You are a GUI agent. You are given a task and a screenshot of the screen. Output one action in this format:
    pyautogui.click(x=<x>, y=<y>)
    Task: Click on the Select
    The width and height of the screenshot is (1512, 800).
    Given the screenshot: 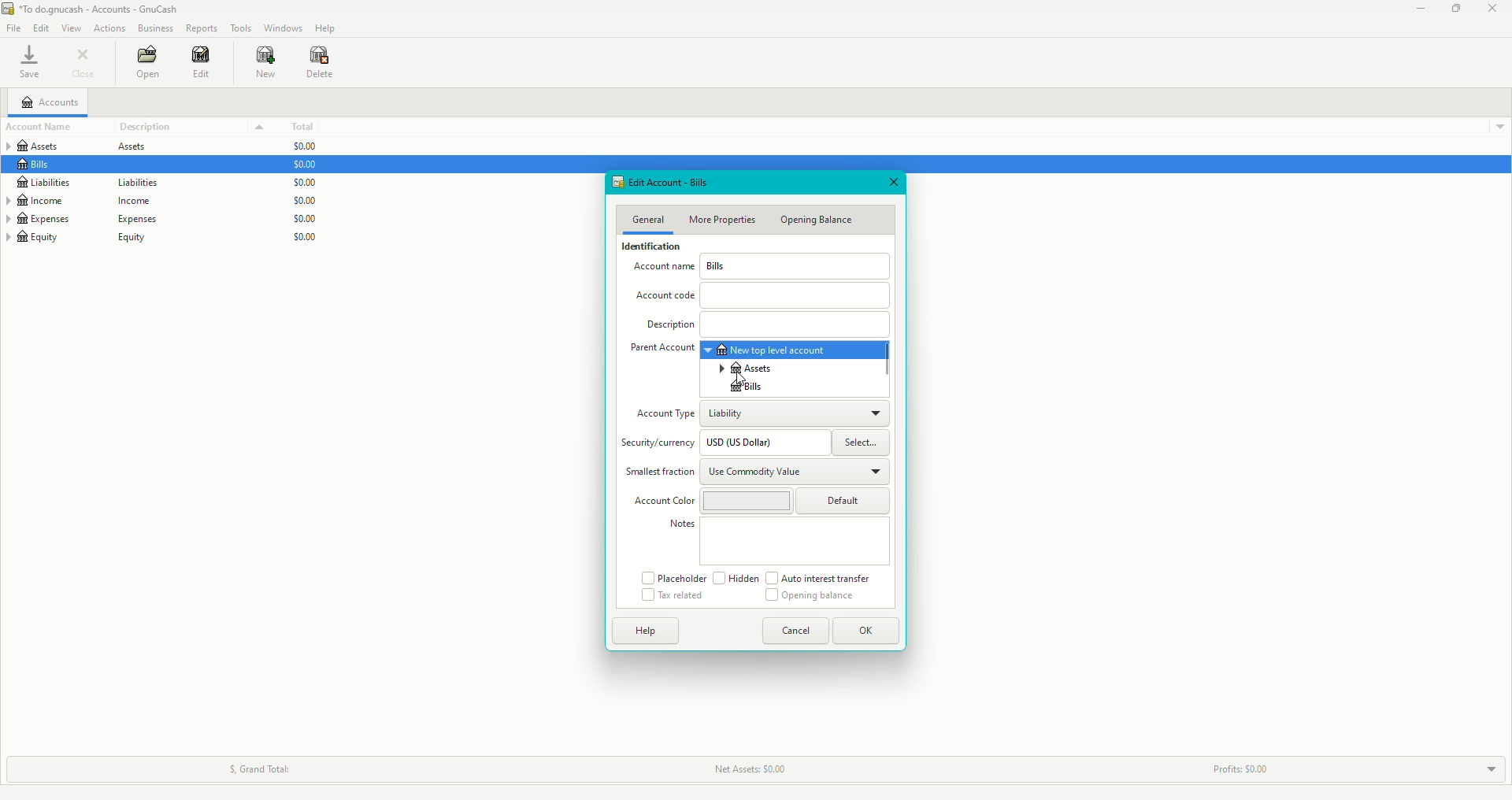 What is the action you would take?
    pyautogui.click(x=866, y=443)
    